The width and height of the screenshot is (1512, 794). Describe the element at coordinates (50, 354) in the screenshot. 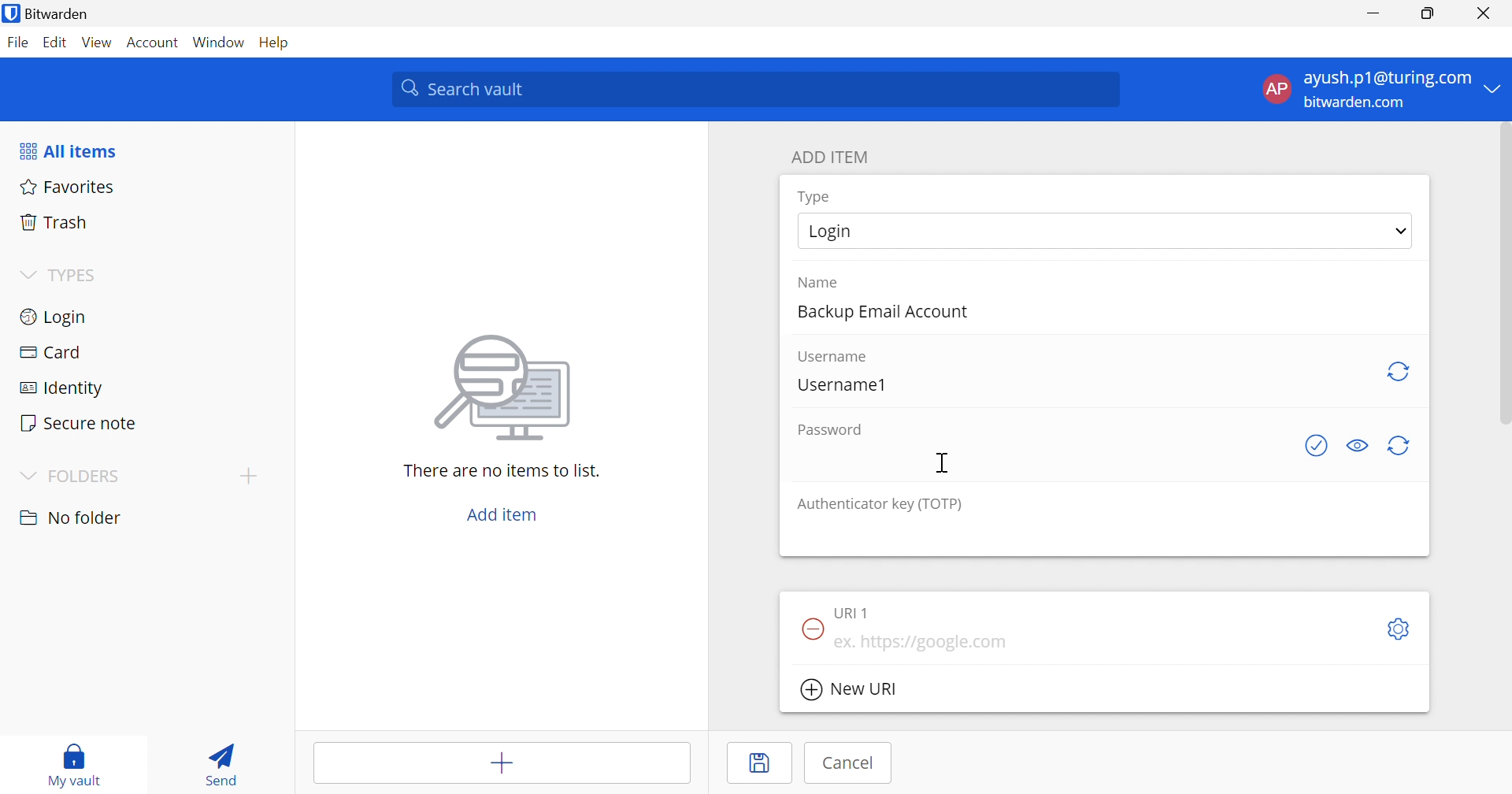

I see `Card` at that location.